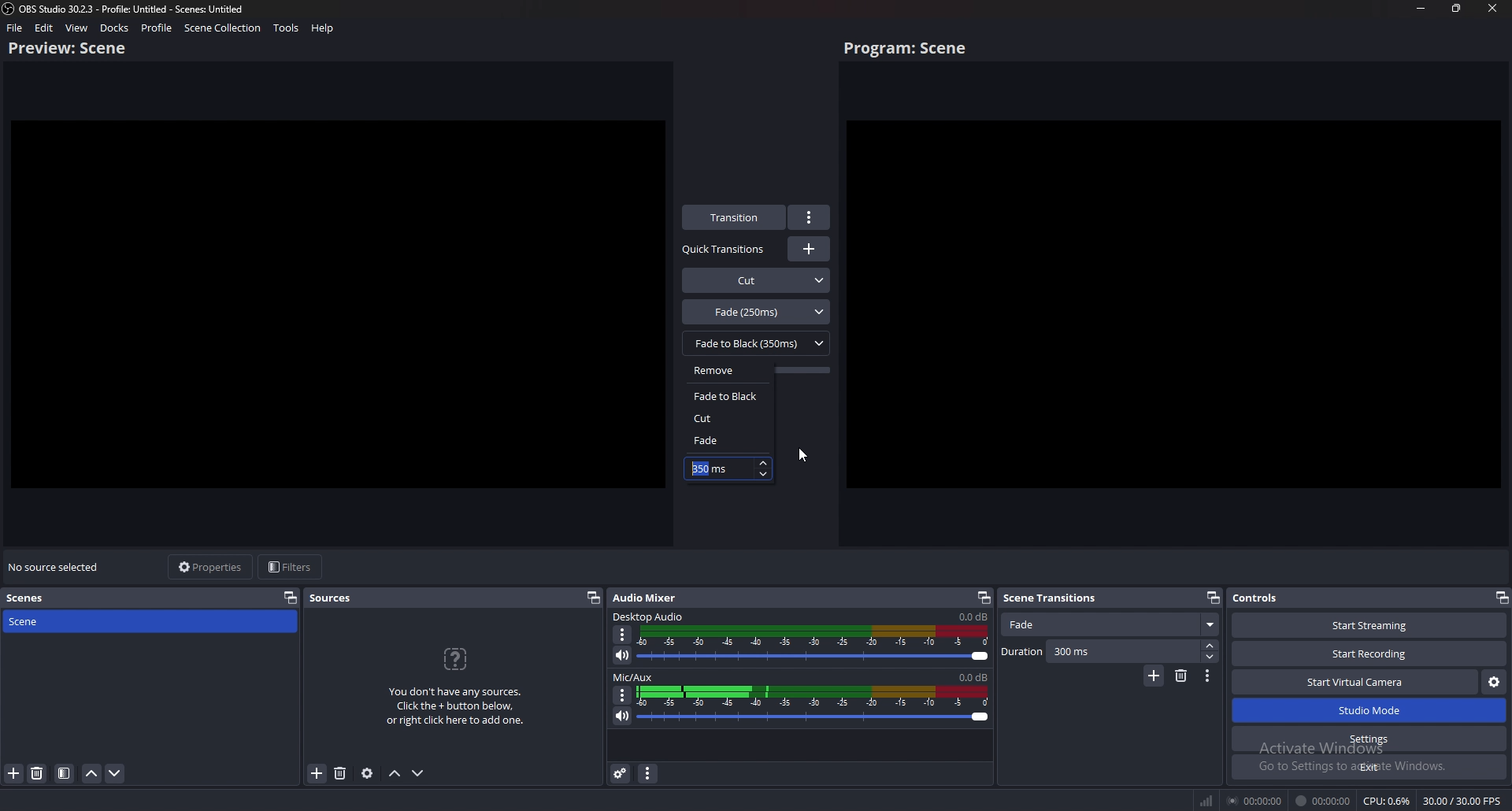 Image resolution: width=1512 pixels, height=811 pixels. What do you see at coordinates (1355, 682) in the screenshot?
I see `Start virtual camera` at bounding box center [1355, 682].